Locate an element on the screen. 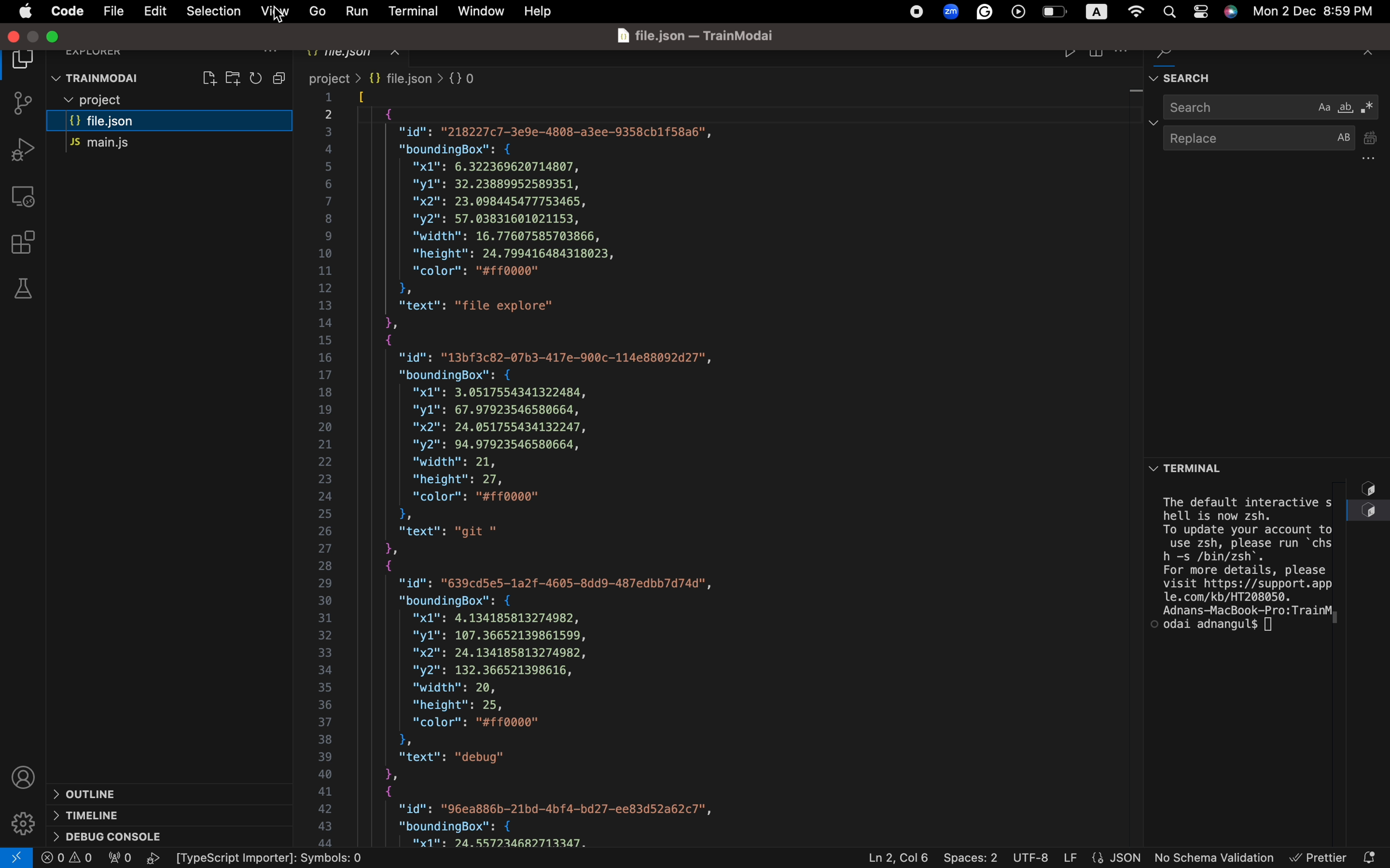  file.json is located at coordinates (167, 124).